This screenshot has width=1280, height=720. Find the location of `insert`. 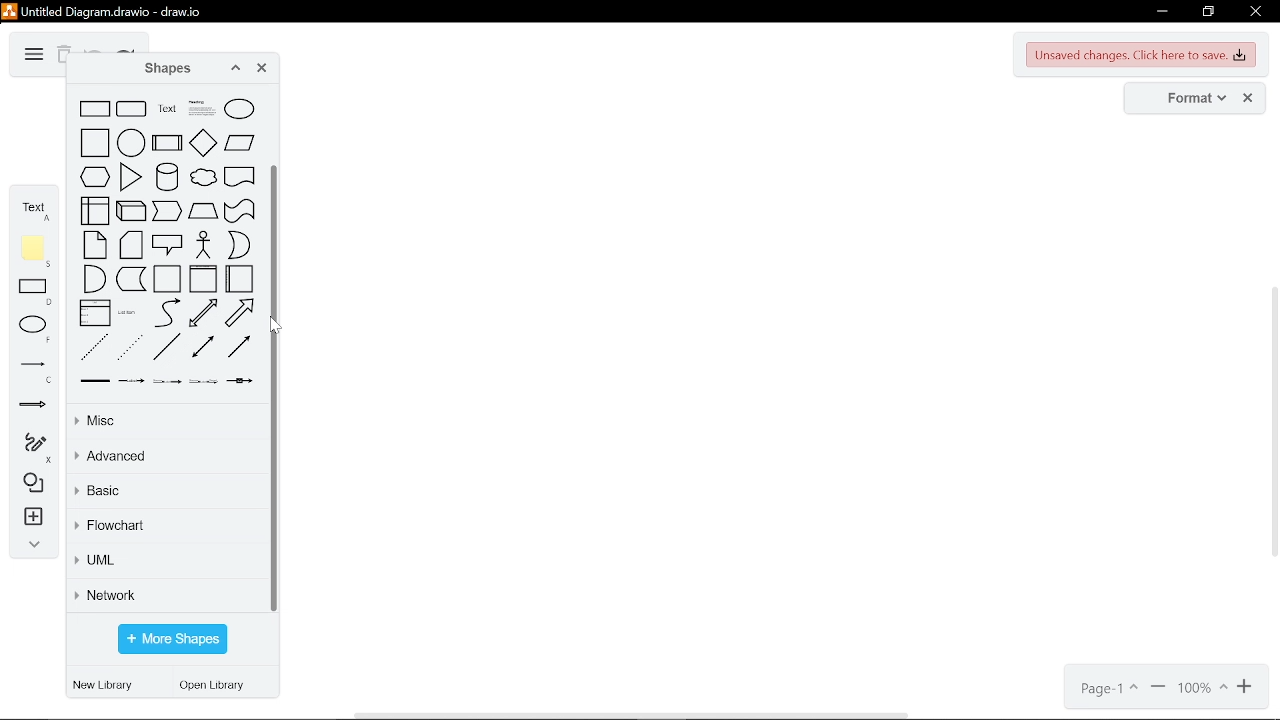

insert is located at coordinates (31, 519).